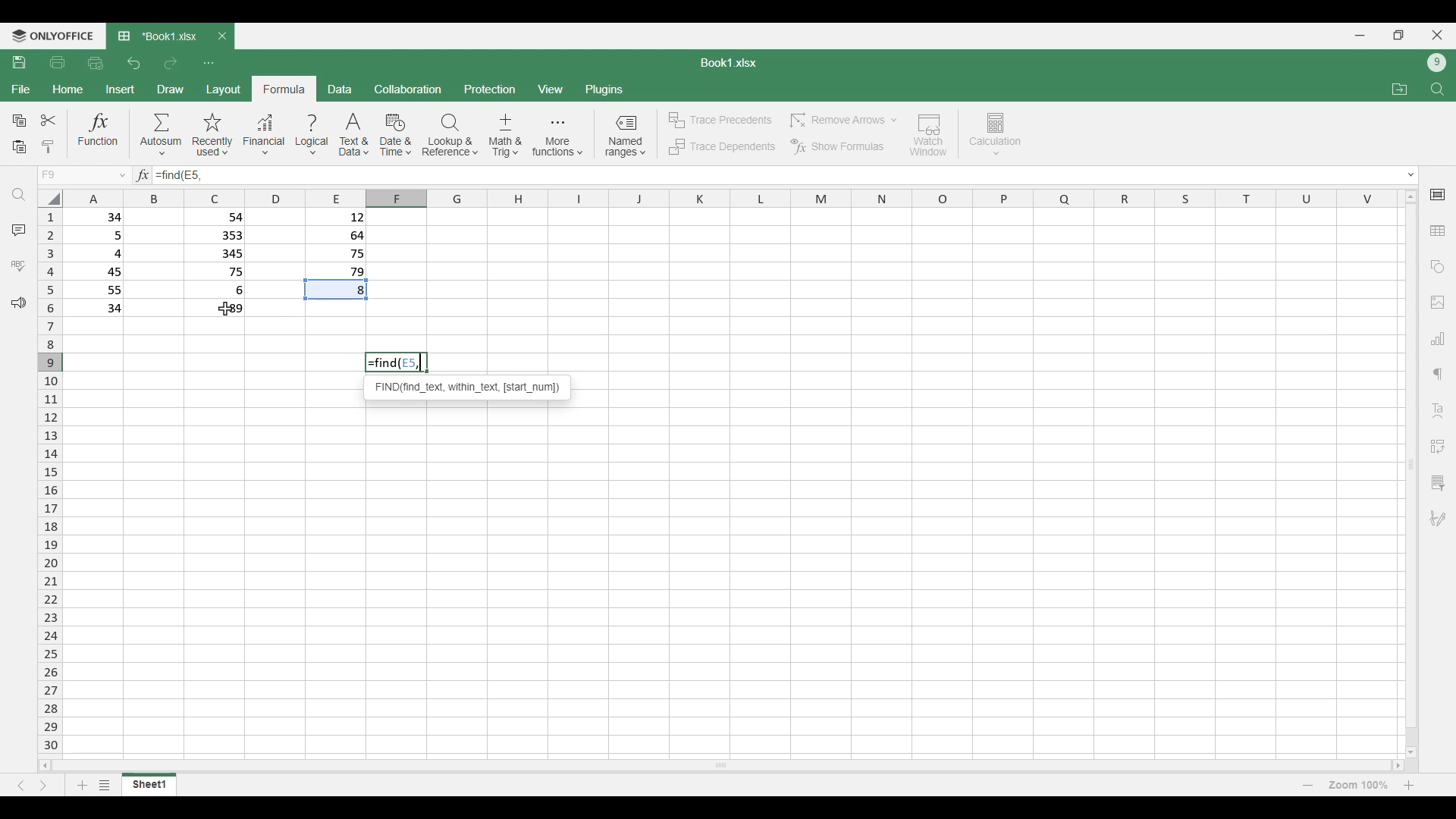  I want to click on Current account, so click(1437, 63).